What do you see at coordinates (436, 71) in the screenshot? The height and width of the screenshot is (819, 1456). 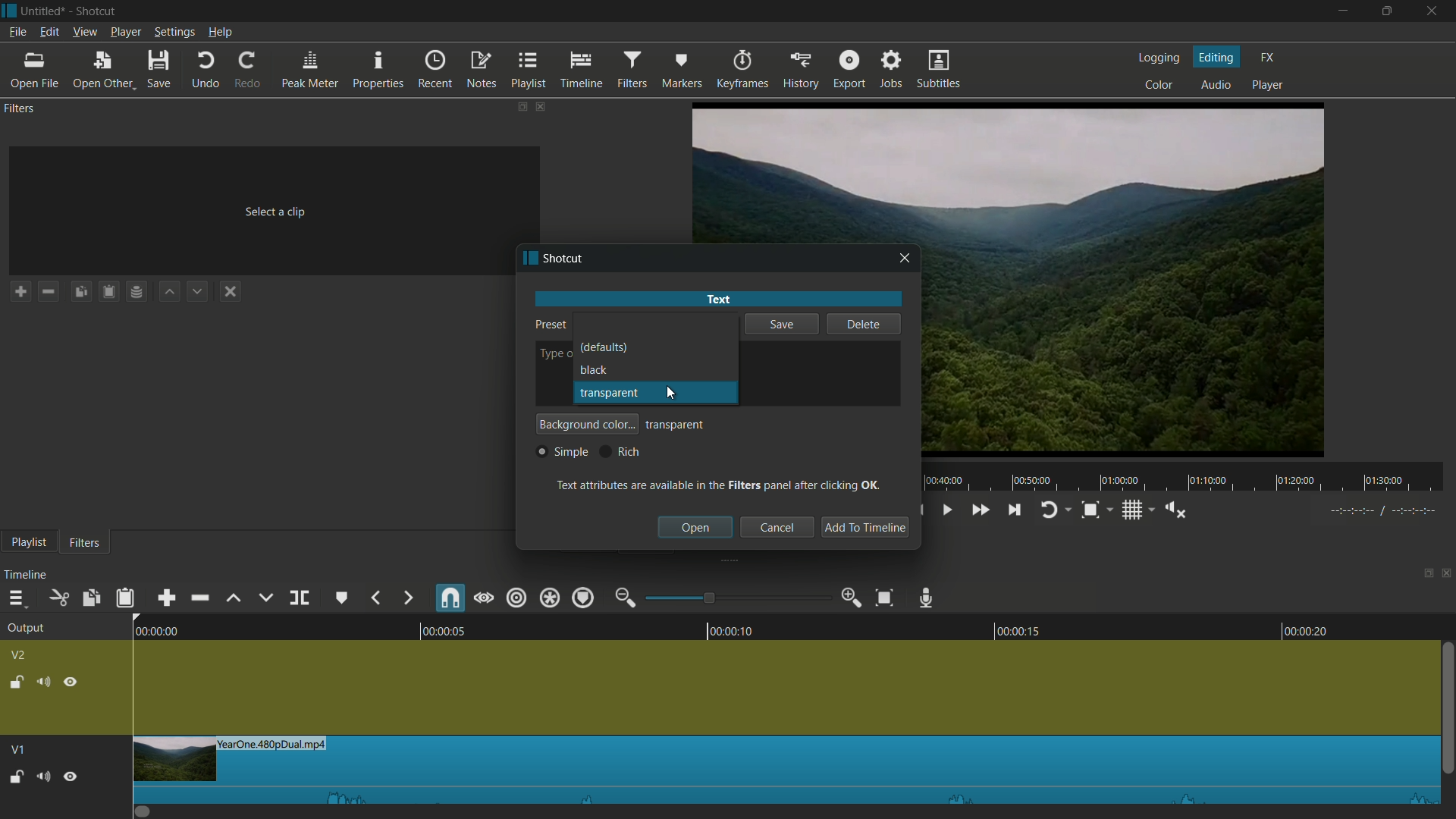 I see `recent` at bounding box center [436, 71].